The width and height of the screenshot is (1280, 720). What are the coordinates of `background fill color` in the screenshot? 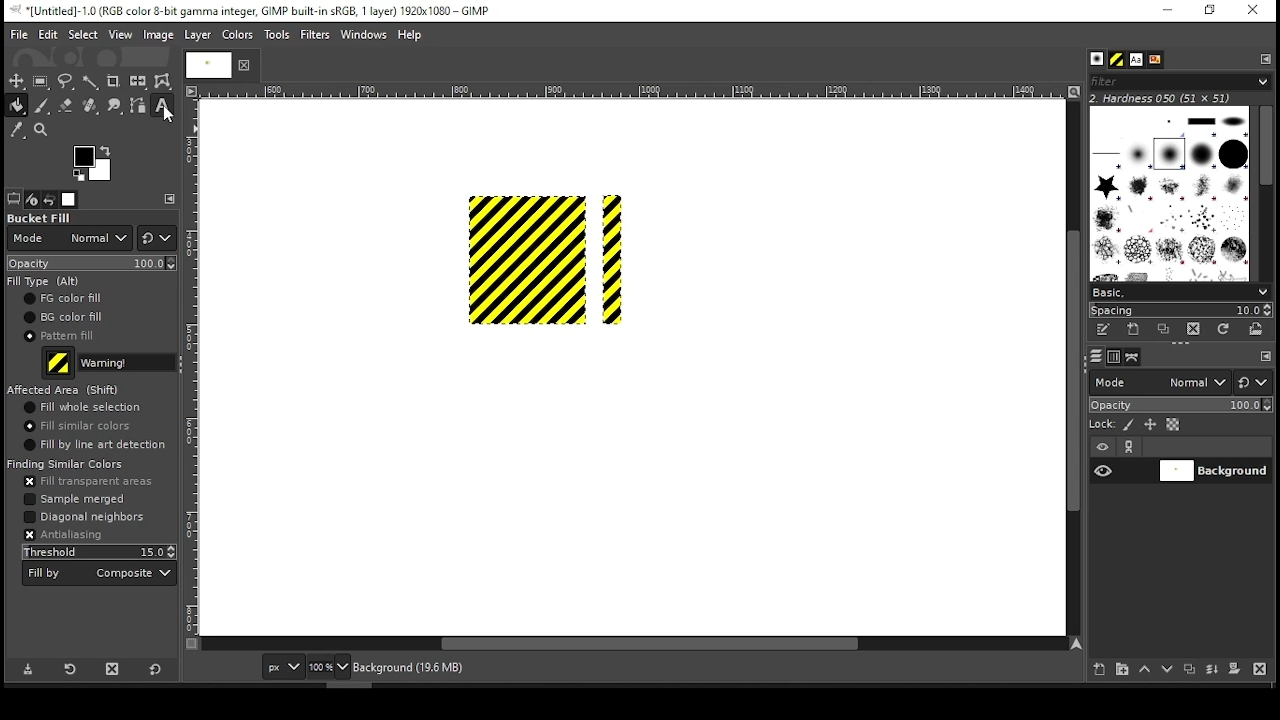 It's located at (63, 318).